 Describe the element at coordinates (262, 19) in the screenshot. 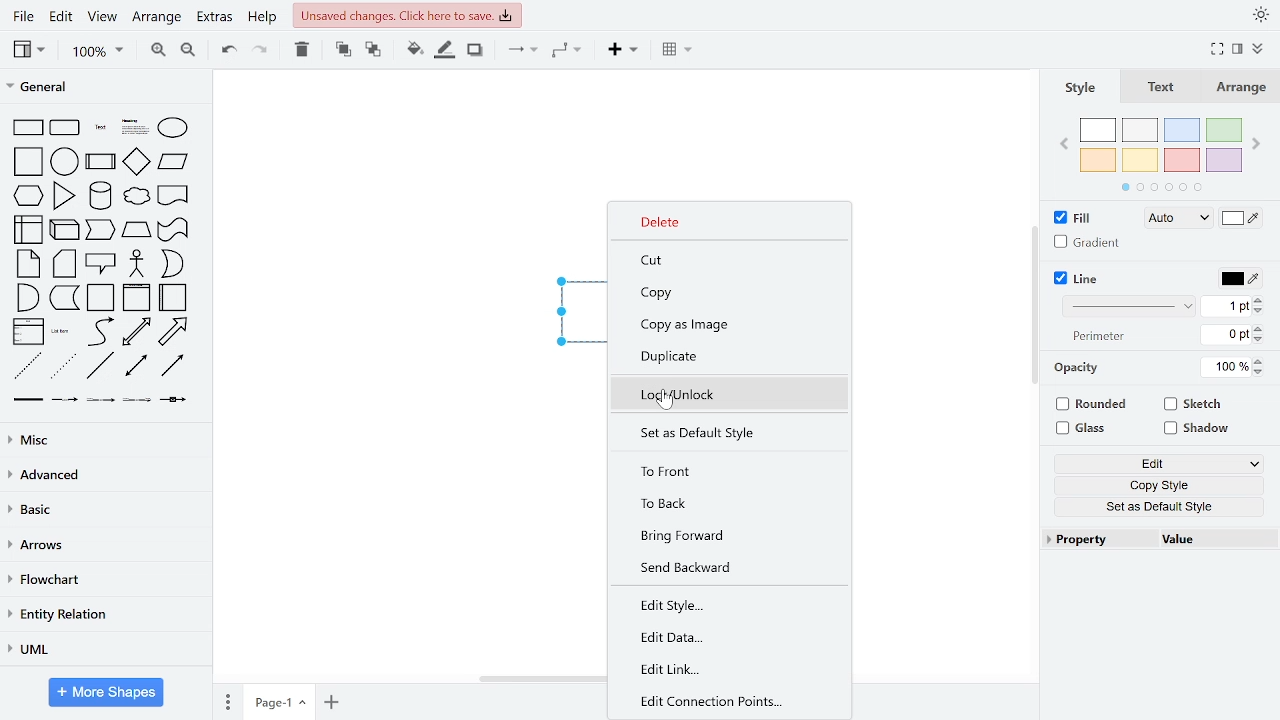

I see `help` at that location.